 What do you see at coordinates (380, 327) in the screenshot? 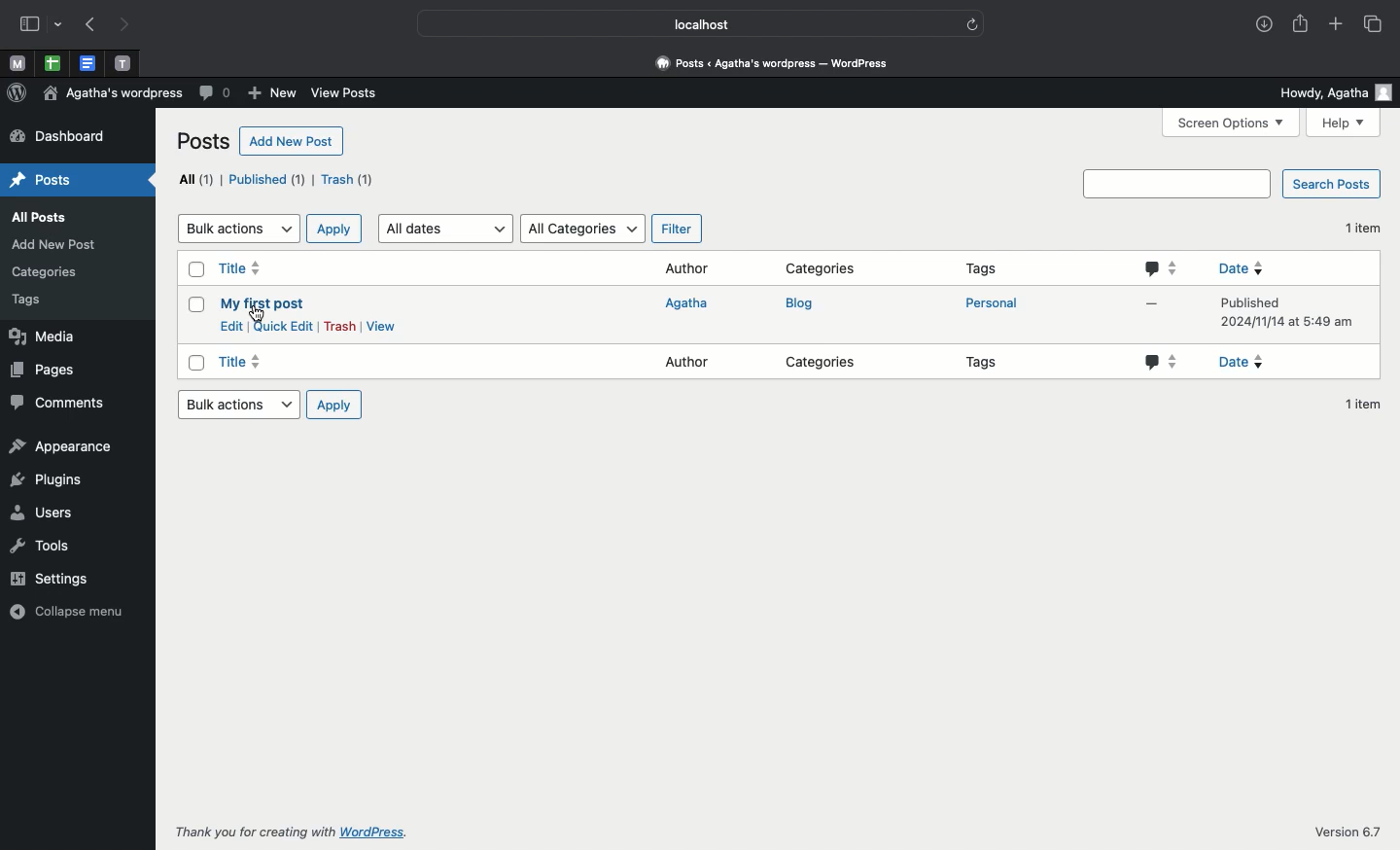
I see `View` at bounding box center [380, 327].